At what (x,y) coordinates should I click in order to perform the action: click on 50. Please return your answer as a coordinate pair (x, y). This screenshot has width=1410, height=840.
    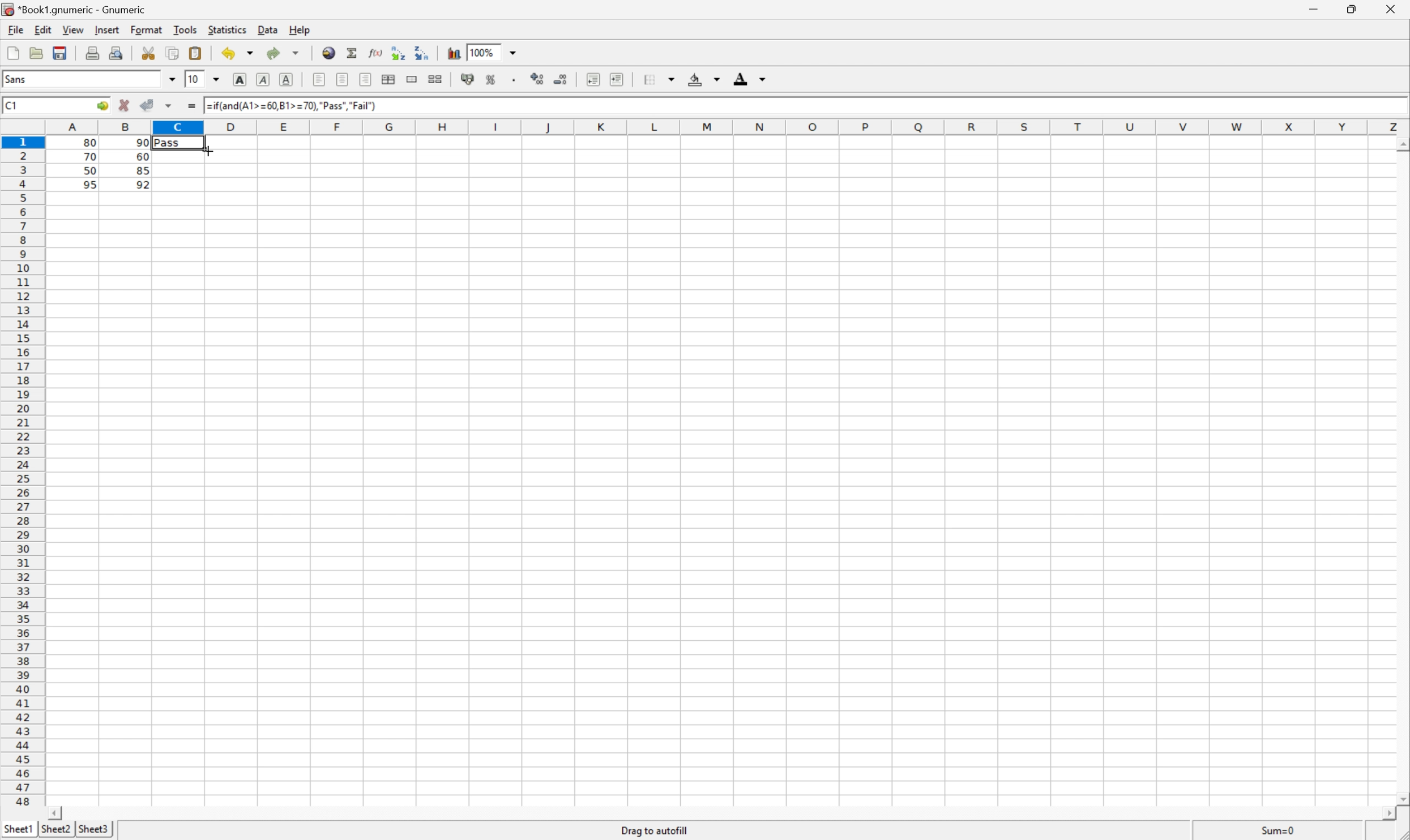
    Looking at the image, I should click on (87, 172).